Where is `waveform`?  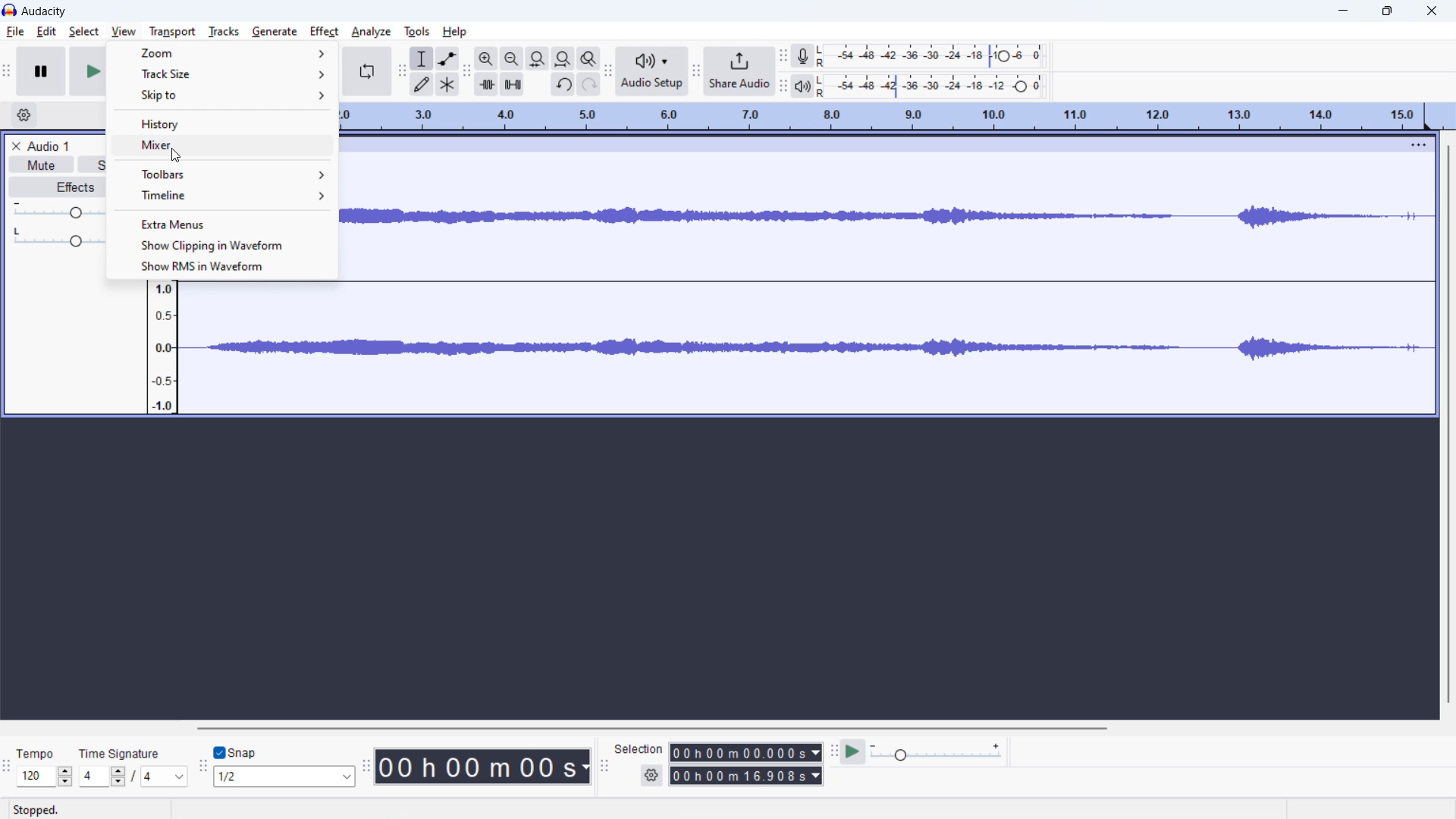
waveform is located at coordinates (900, 217).